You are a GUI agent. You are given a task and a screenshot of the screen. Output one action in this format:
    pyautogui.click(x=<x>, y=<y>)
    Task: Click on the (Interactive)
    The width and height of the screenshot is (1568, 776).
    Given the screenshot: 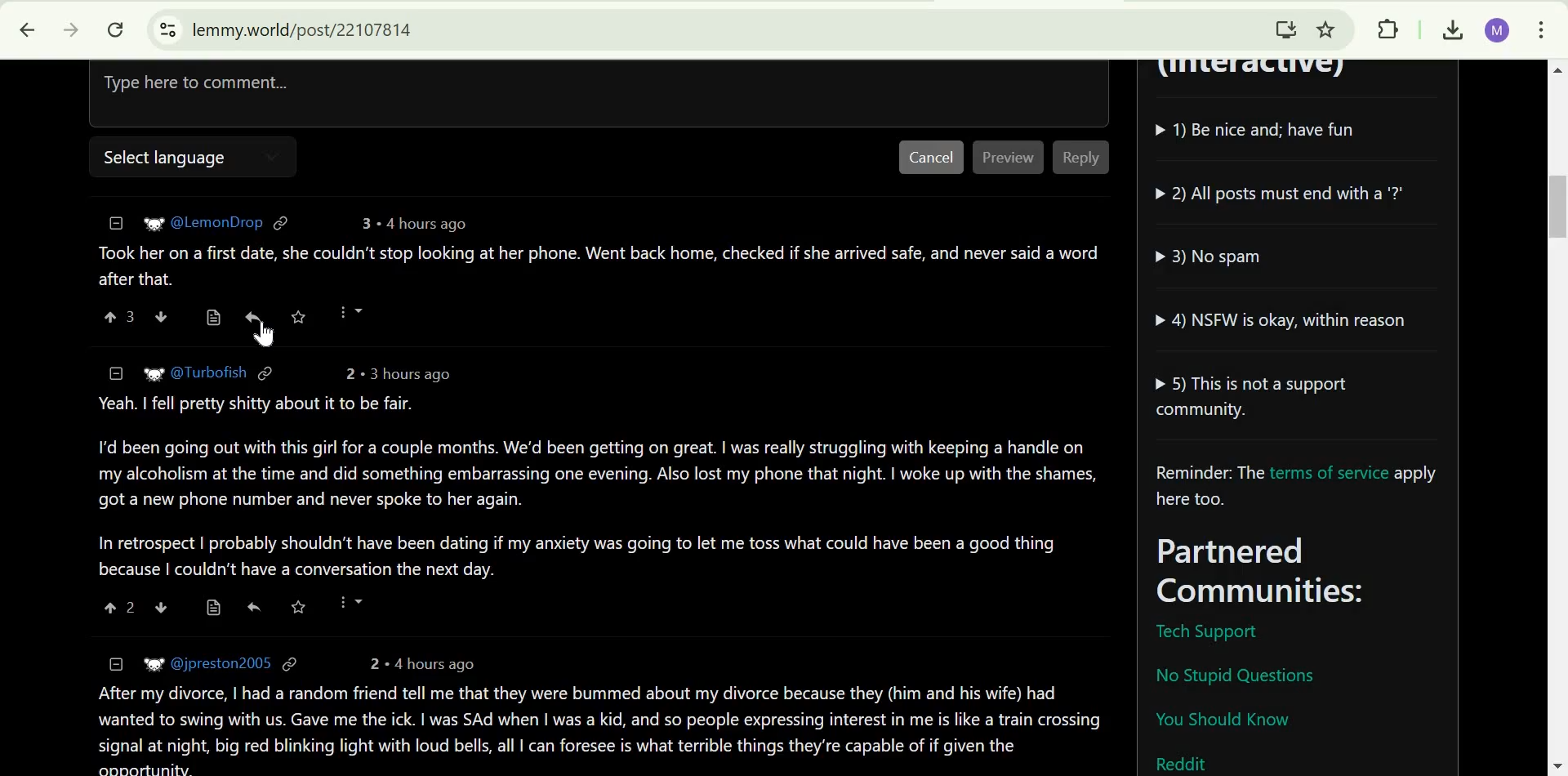 What is the action you would take?
    pyautogui.click(x=1258, y=74)
    